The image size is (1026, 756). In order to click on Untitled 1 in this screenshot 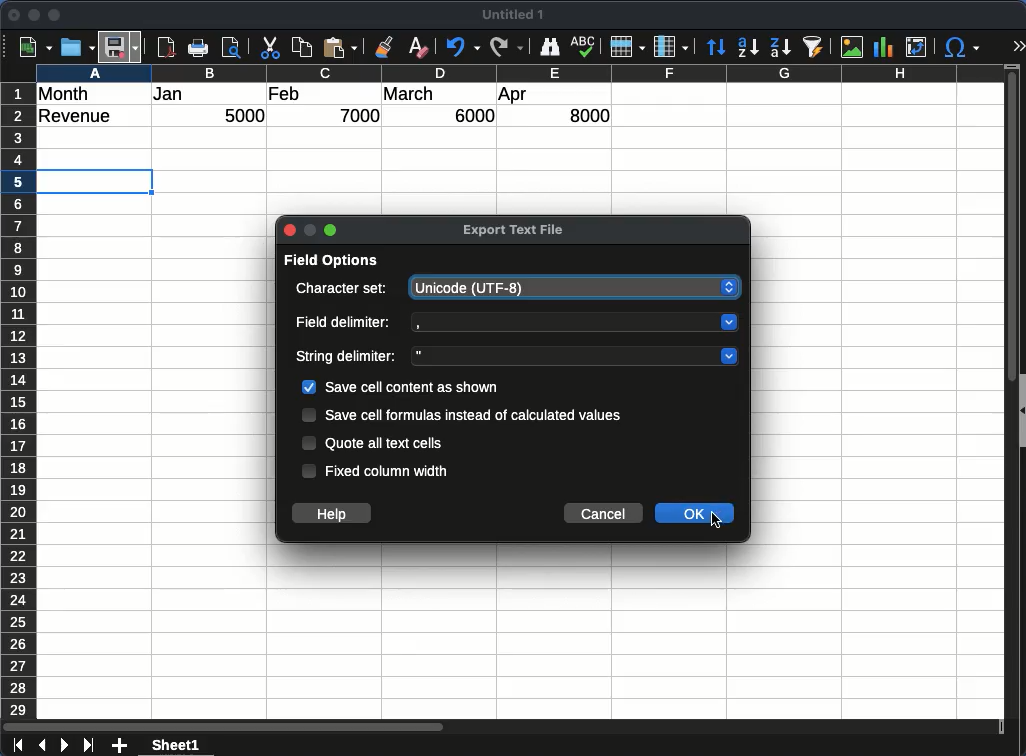, I will do `click(517, 15)`.